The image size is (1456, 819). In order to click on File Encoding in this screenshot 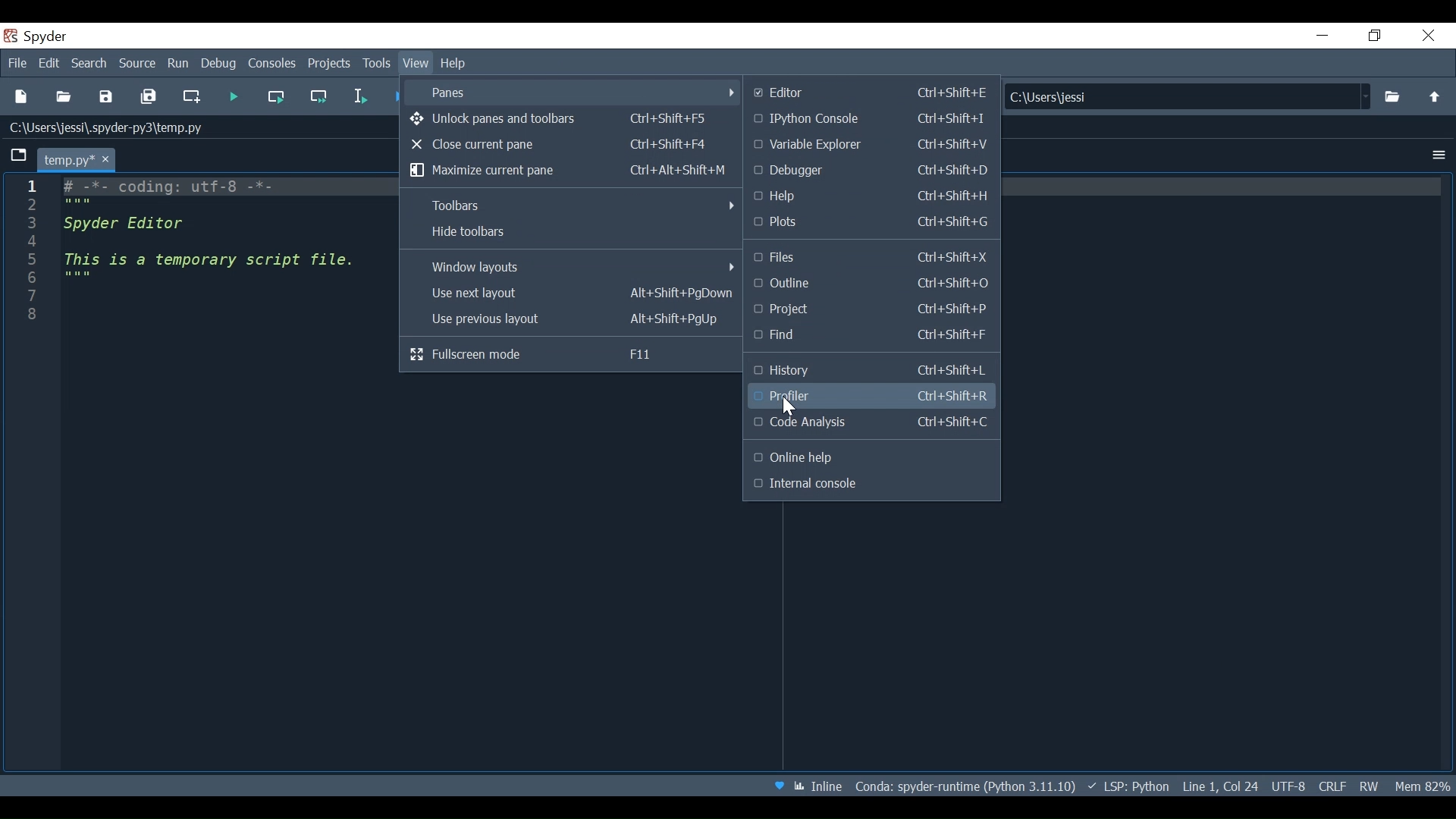, I will do `click(1289, 786)`.